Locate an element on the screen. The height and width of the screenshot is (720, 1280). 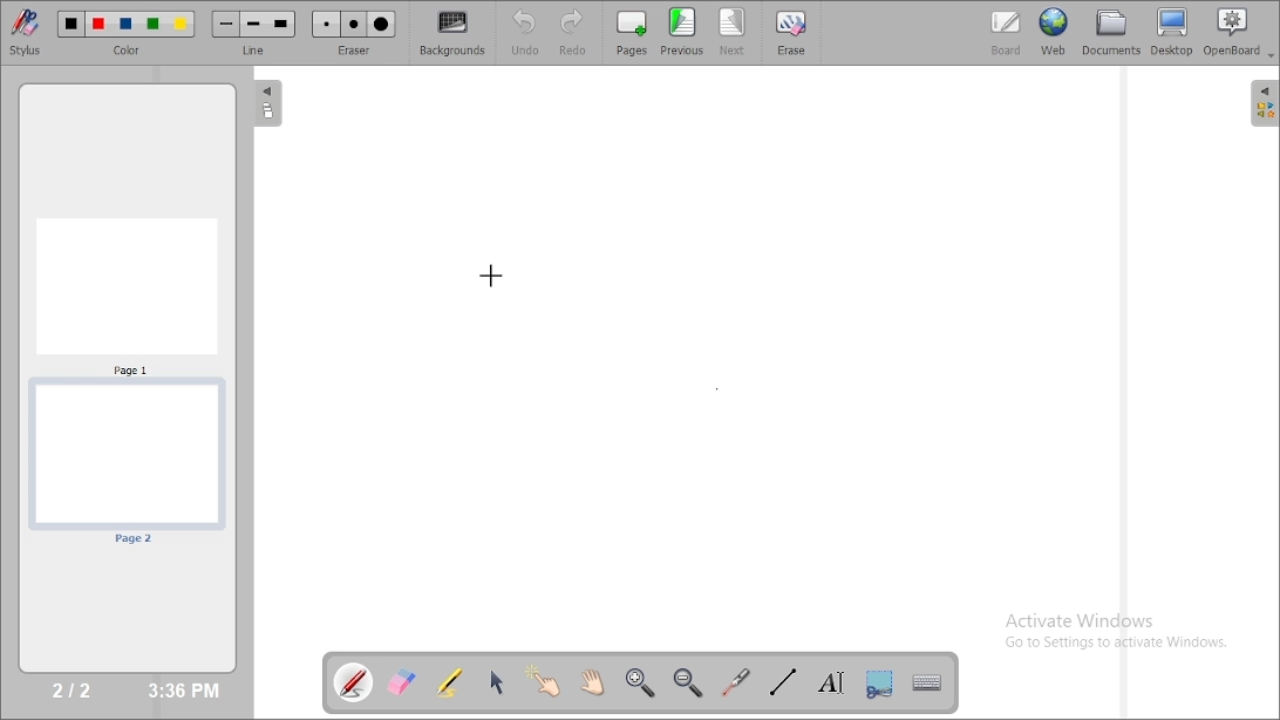
interact with items is located at coordinates (545, 681).